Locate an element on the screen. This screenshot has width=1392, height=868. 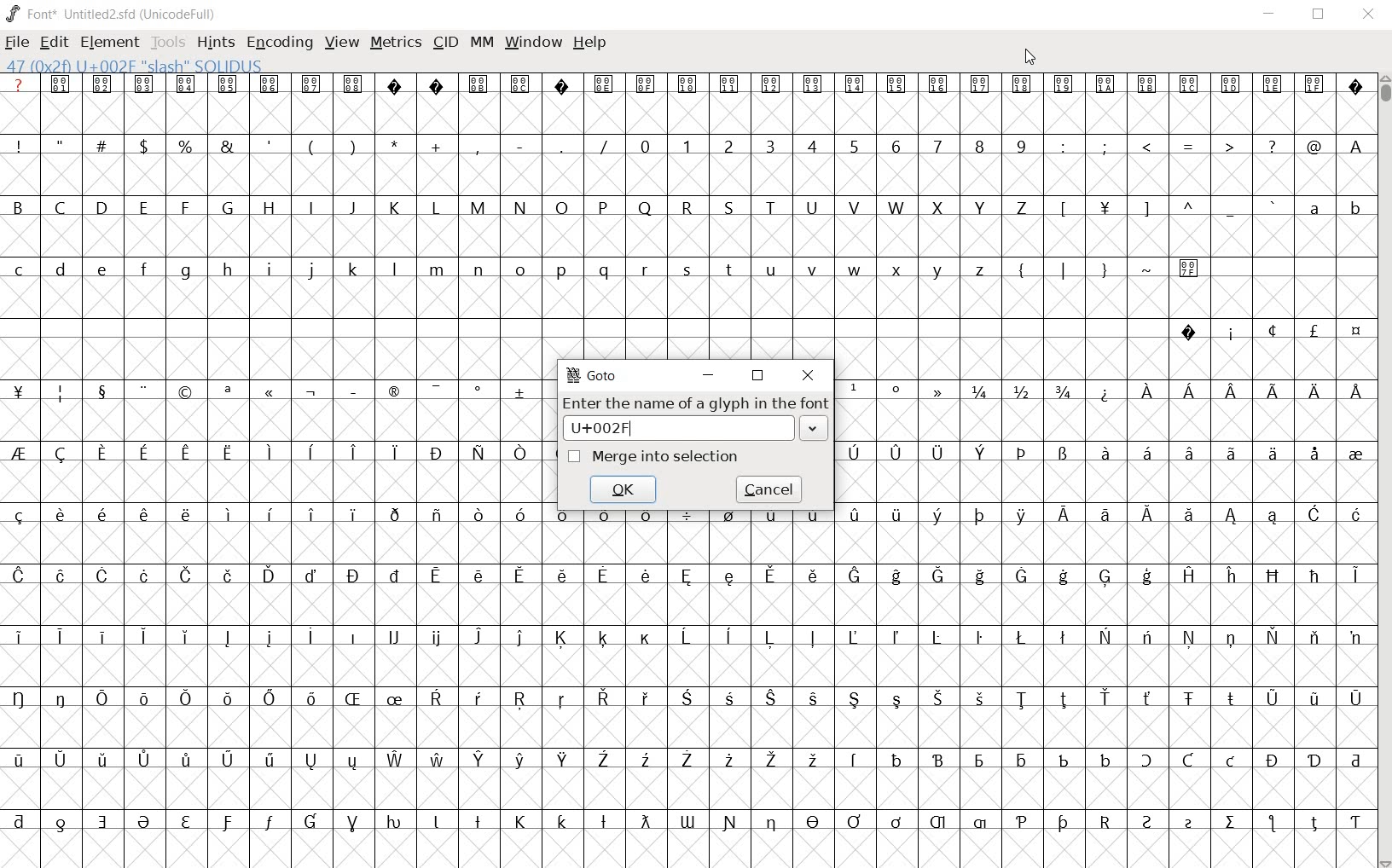
MM is located at coordinates (480, 42).